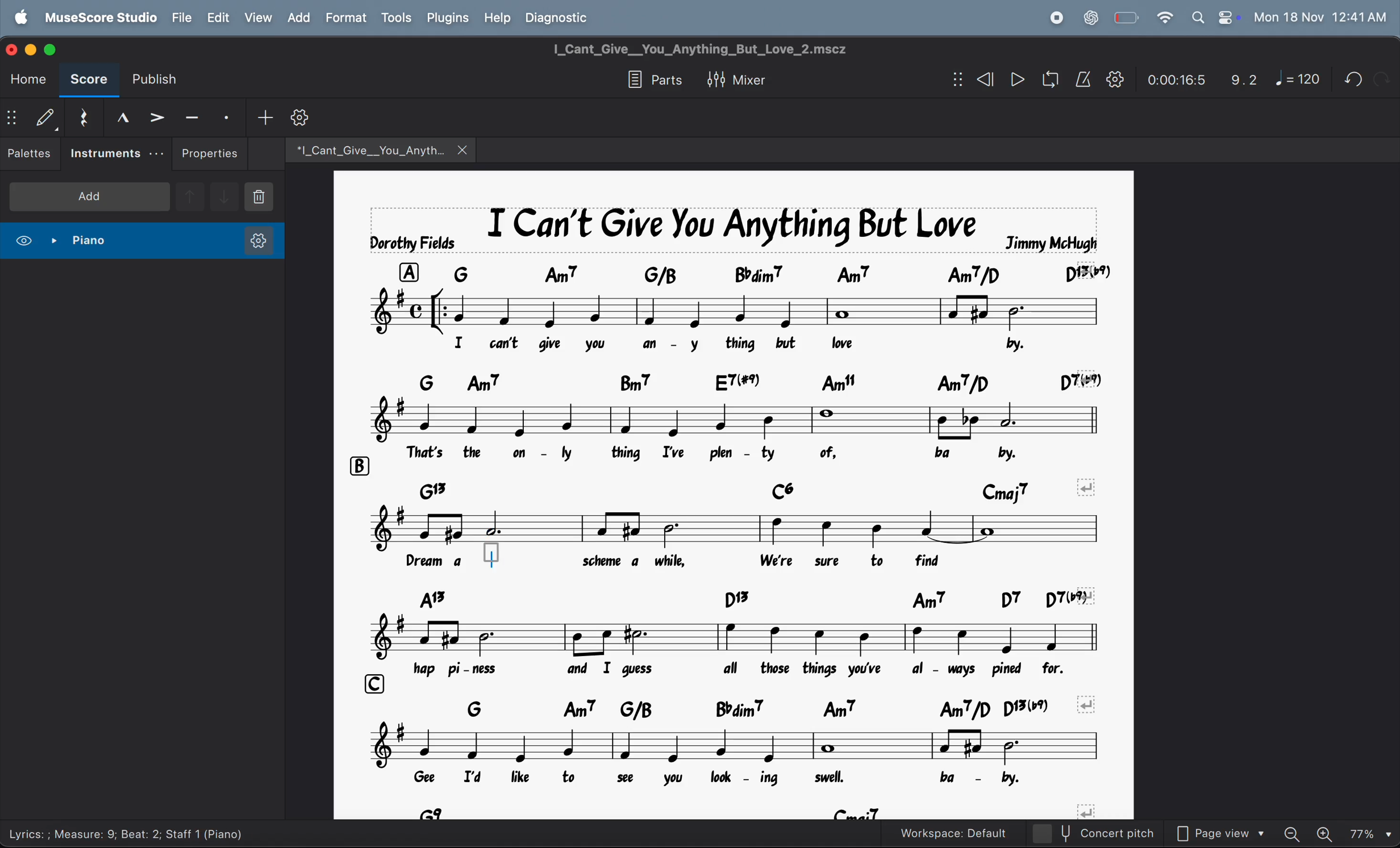 Image resolution: width=1400 pixels, height=848 pixels. What do you see at coordinates (259, 19) in the screenshot?
I see `view` at bounding box center [259, 19].